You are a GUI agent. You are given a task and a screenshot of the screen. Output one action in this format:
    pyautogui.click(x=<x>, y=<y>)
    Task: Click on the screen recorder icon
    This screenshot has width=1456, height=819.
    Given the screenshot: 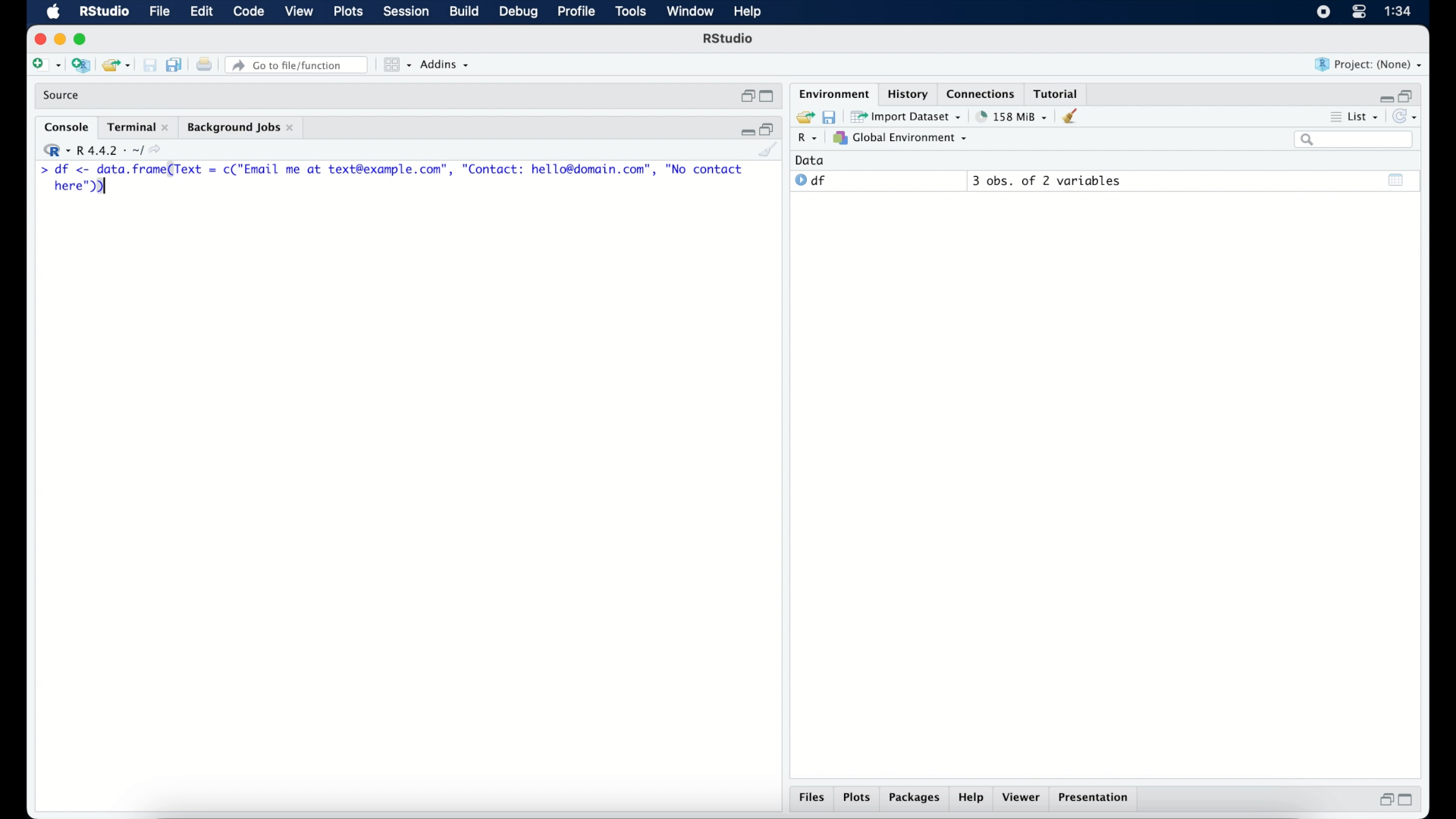 What is the action you would take?
    pyautogui.click(x=1323, y=12)
    